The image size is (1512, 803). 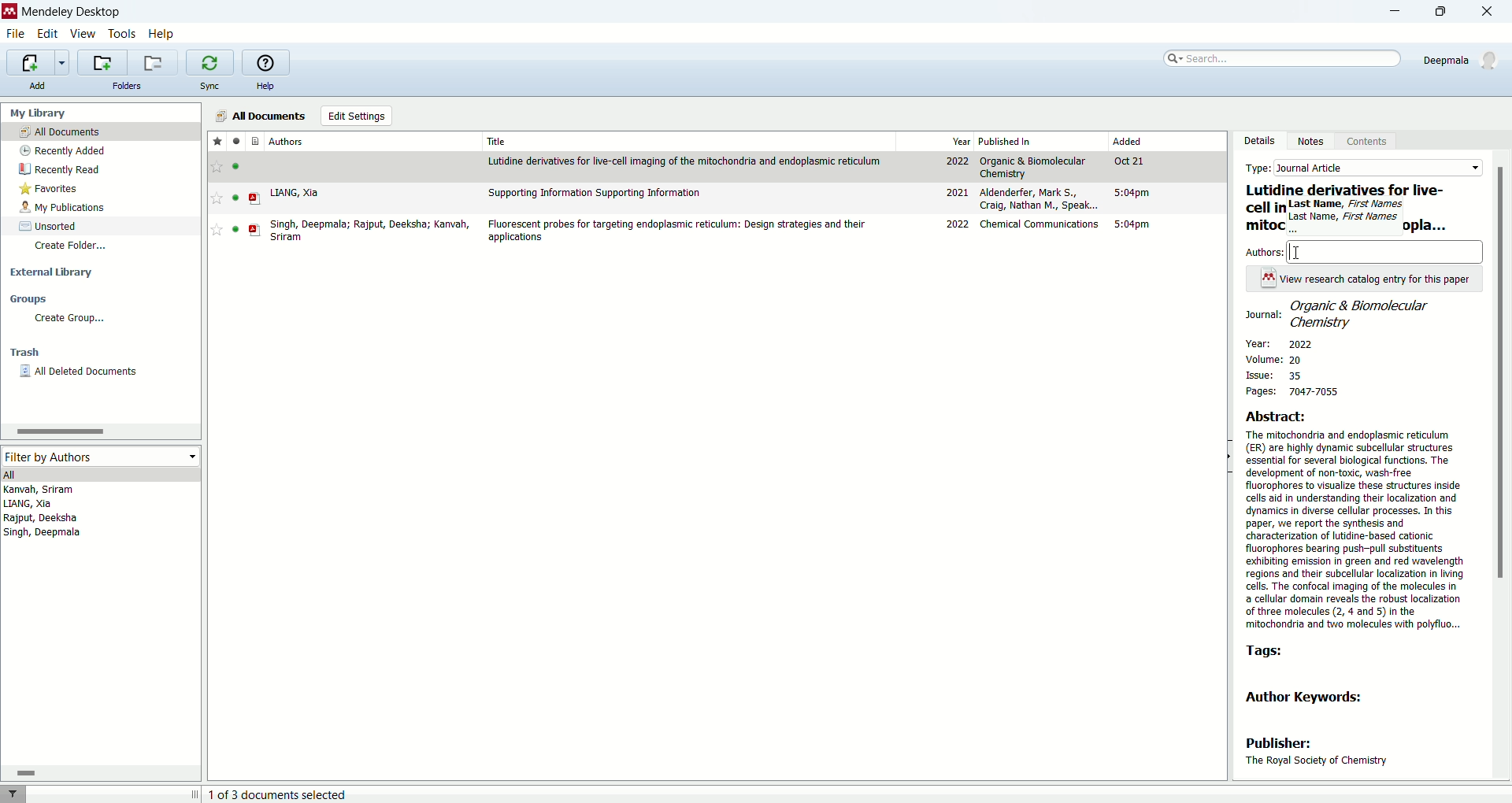 I want to click on help, so click(x=163, y=34).